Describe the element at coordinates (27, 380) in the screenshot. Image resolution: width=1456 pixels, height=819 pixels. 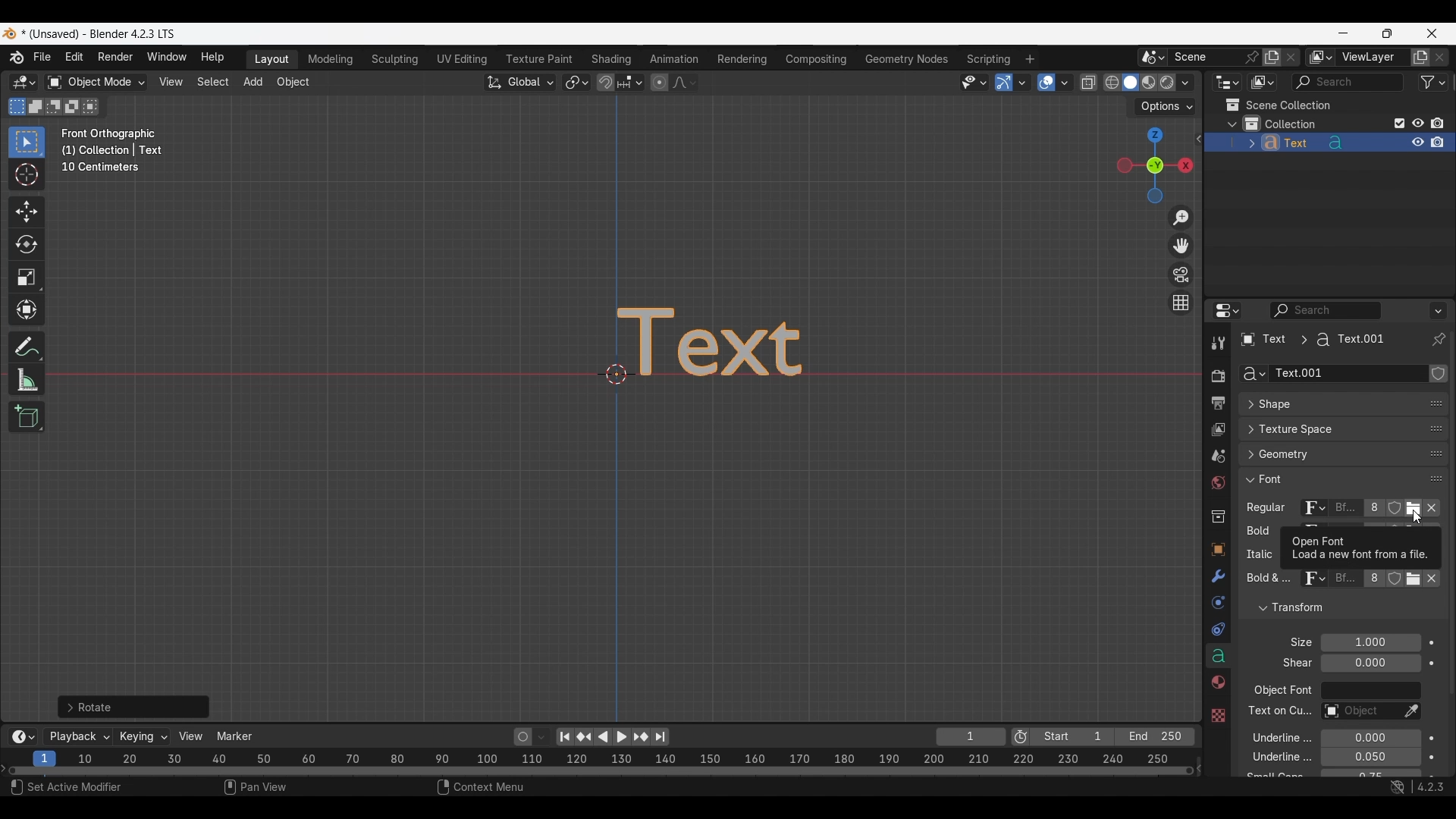
I see `Measure` at that location.